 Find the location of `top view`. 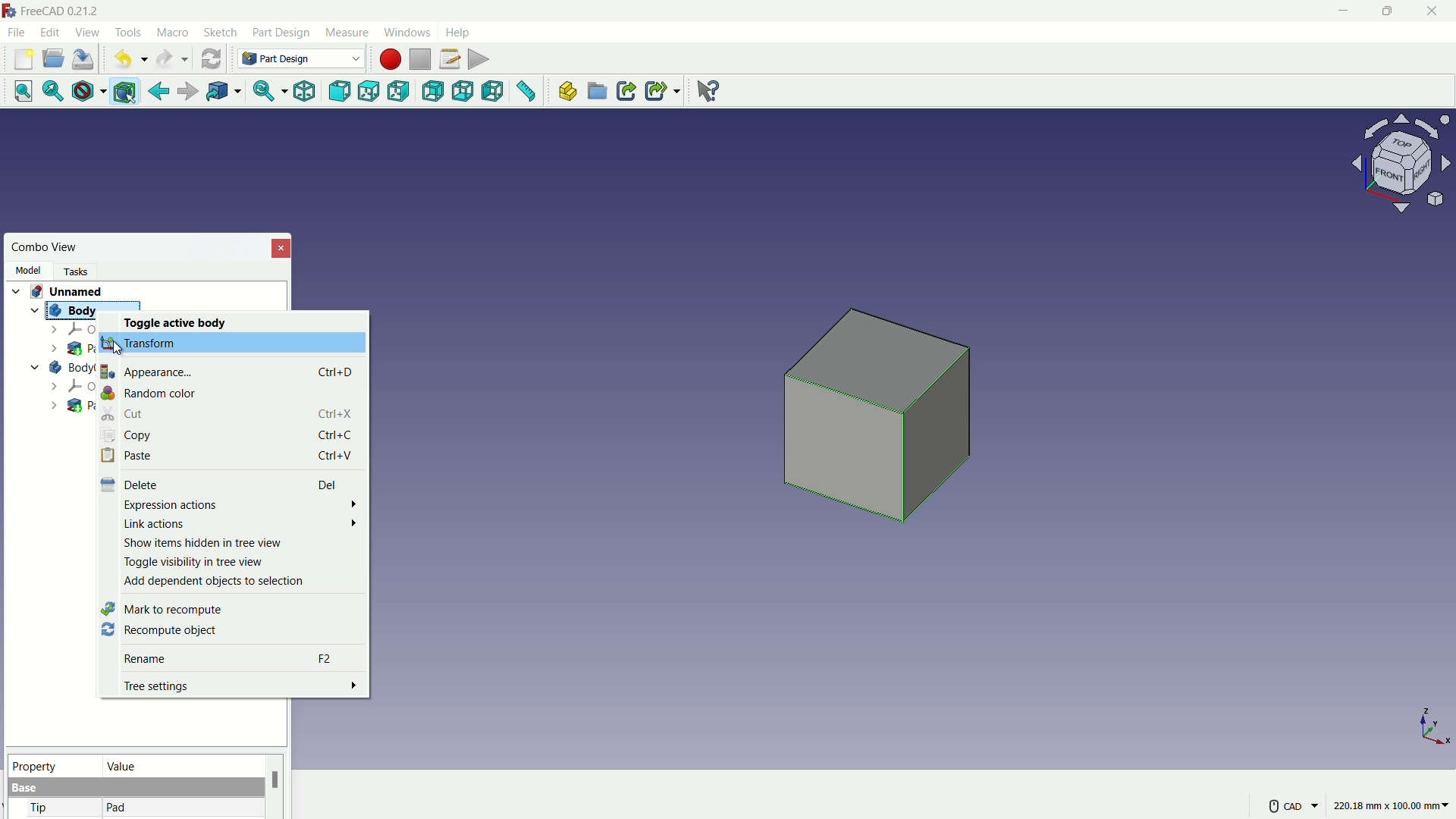

top view is located at coordinates (372, 91).